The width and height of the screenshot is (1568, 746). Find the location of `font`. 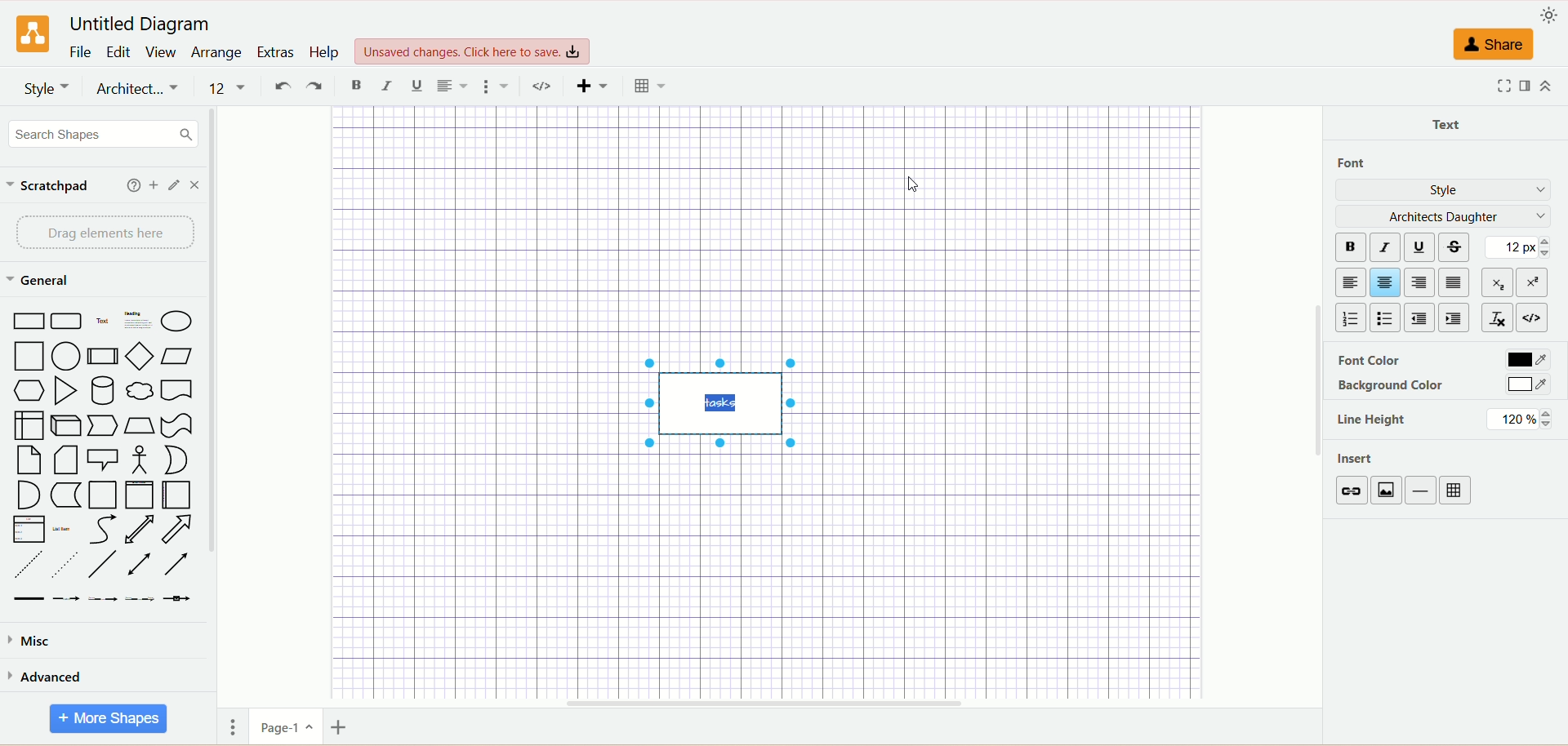

font is located at coordinates (1361, 162).